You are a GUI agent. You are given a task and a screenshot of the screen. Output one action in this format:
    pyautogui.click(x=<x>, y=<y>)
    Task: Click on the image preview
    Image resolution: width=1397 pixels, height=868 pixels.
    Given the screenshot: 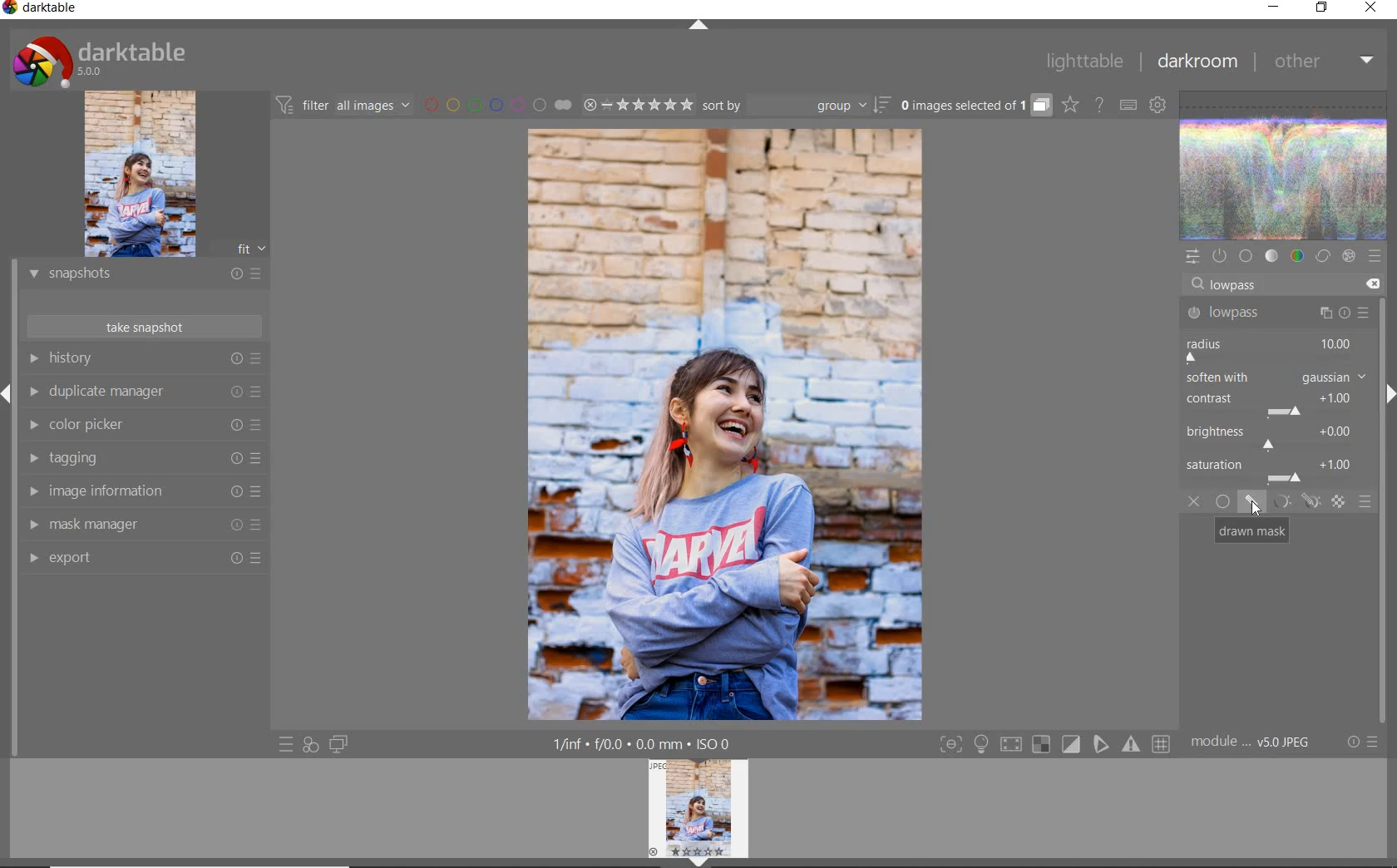 What is the action you would take?
    pyautogui.click(x=165, y=175)
    